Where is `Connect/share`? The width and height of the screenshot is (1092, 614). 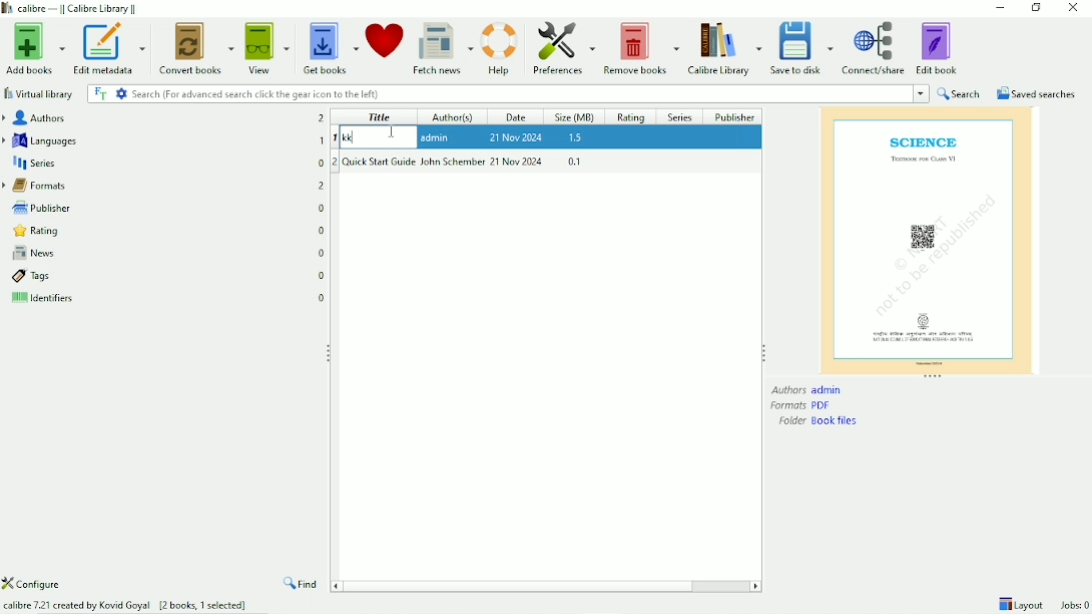 Connect/share is located at coordinates (875, 49).